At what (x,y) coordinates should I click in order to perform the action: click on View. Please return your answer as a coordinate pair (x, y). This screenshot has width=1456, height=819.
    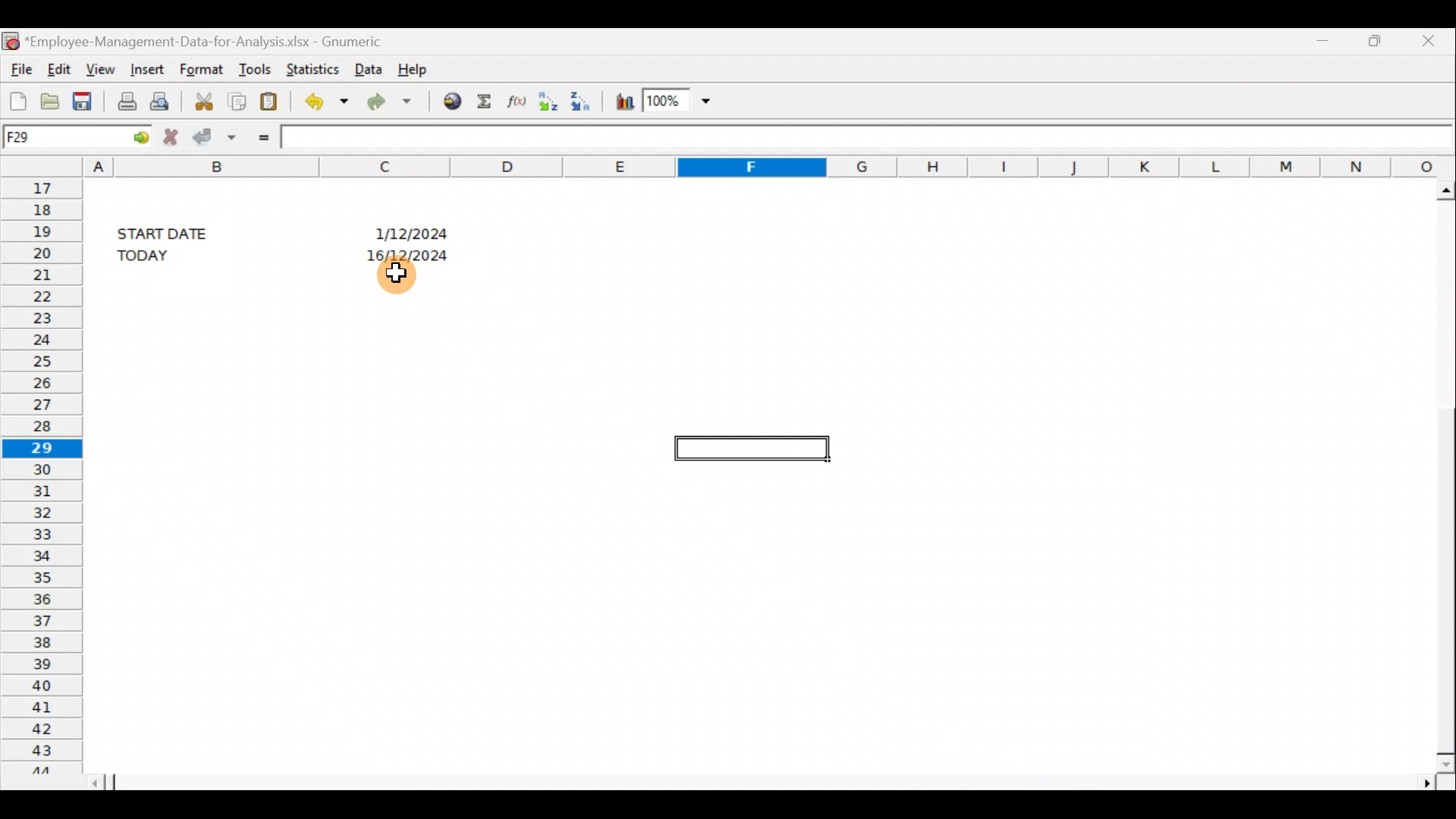
    Looking at the image, I should click on (102, 68).